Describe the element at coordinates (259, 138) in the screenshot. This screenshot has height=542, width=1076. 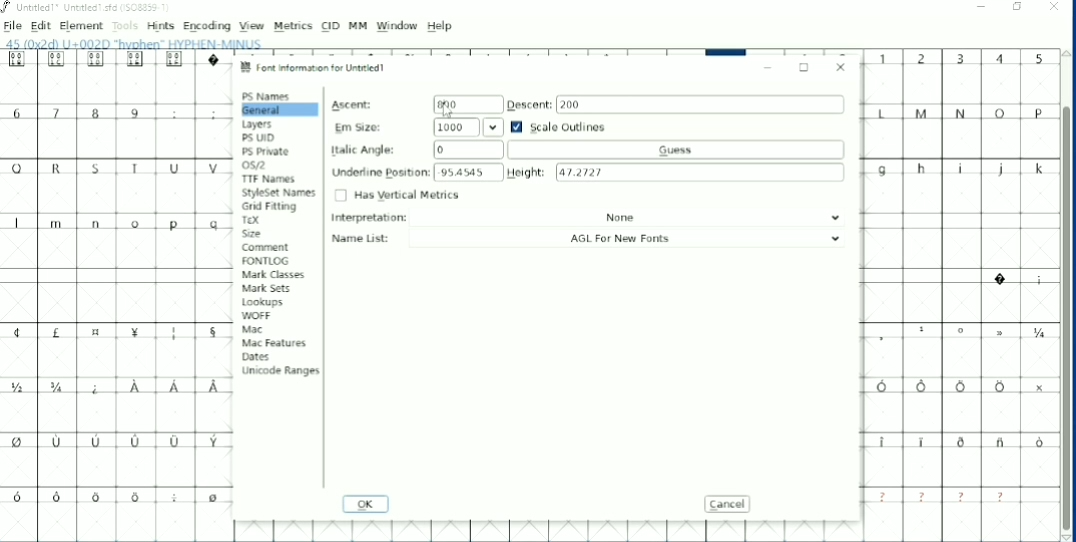
I see `PS UID` at that location.